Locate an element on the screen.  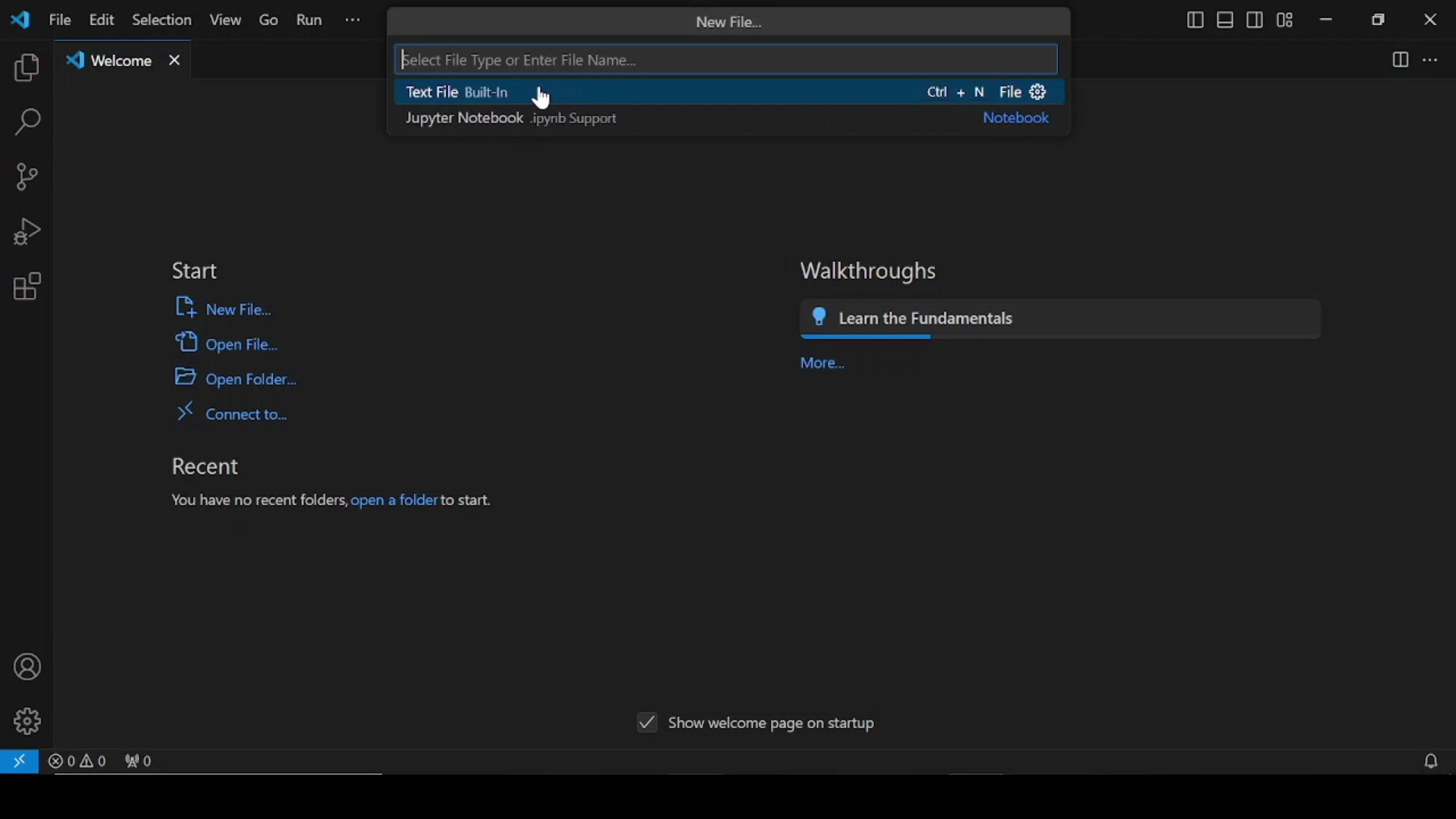
go is located at coordinates (270, 20).